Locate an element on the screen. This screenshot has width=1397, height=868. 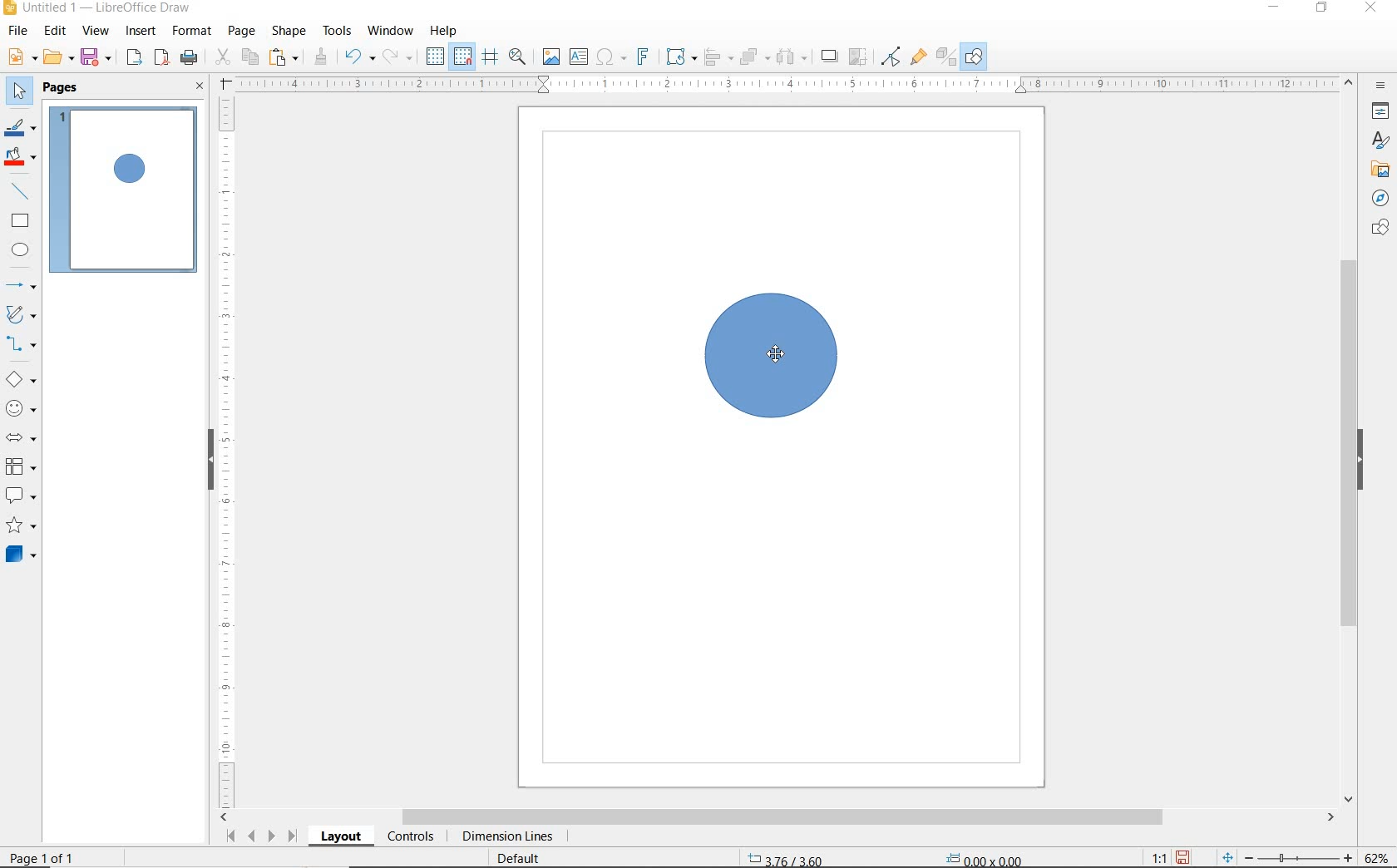
GALLERY is located at coordinates (1380, 169).